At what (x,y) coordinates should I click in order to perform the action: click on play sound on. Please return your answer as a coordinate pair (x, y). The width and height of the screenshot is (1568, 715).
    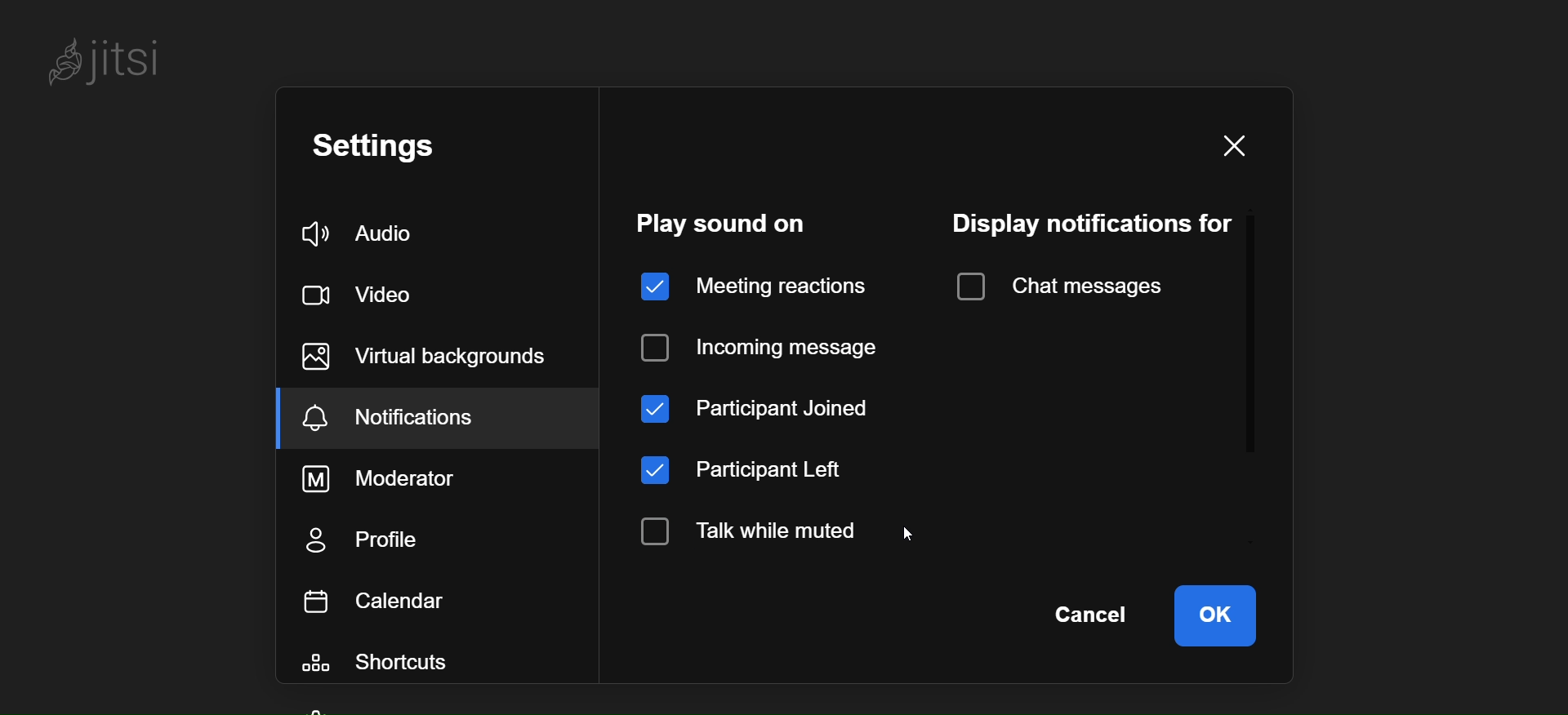
    Looking at the image, I should click on (729, 223).